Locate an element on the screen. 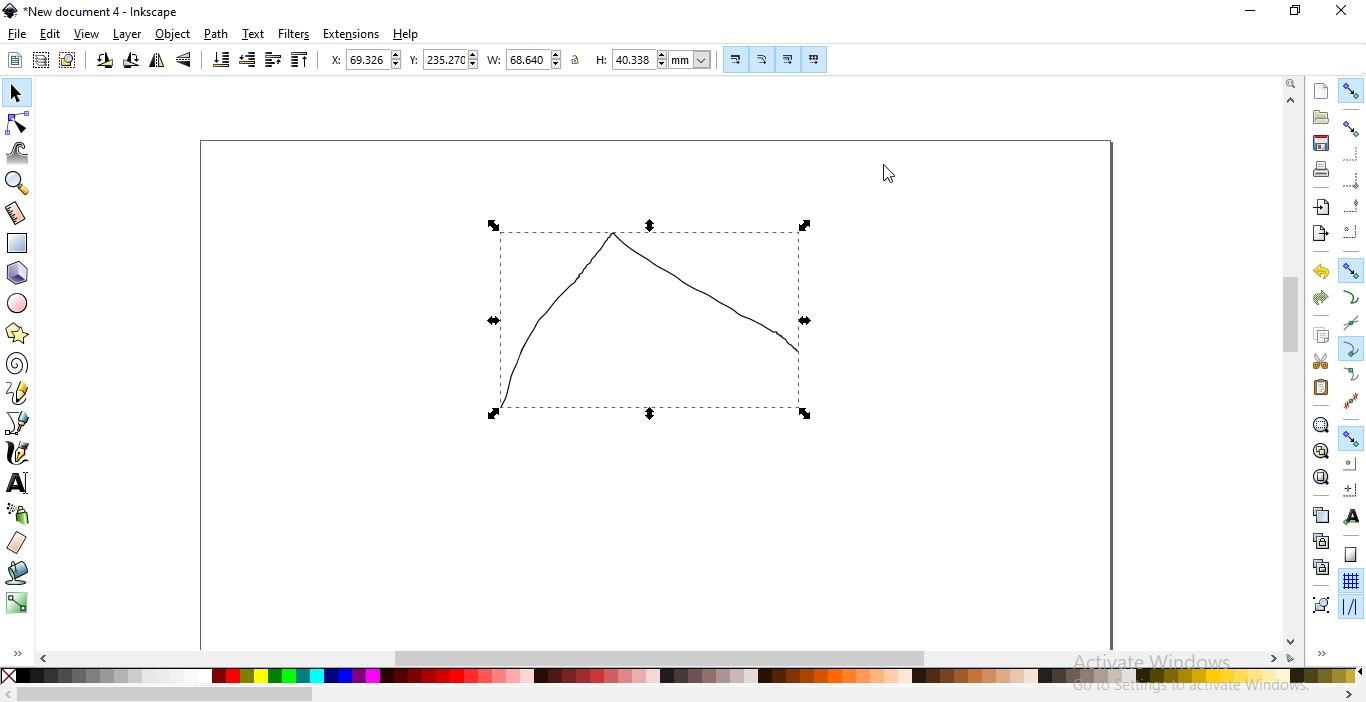 The width and height of the screenshot is (1366, 702). flip horizontally is located at coordinates (156, 62).